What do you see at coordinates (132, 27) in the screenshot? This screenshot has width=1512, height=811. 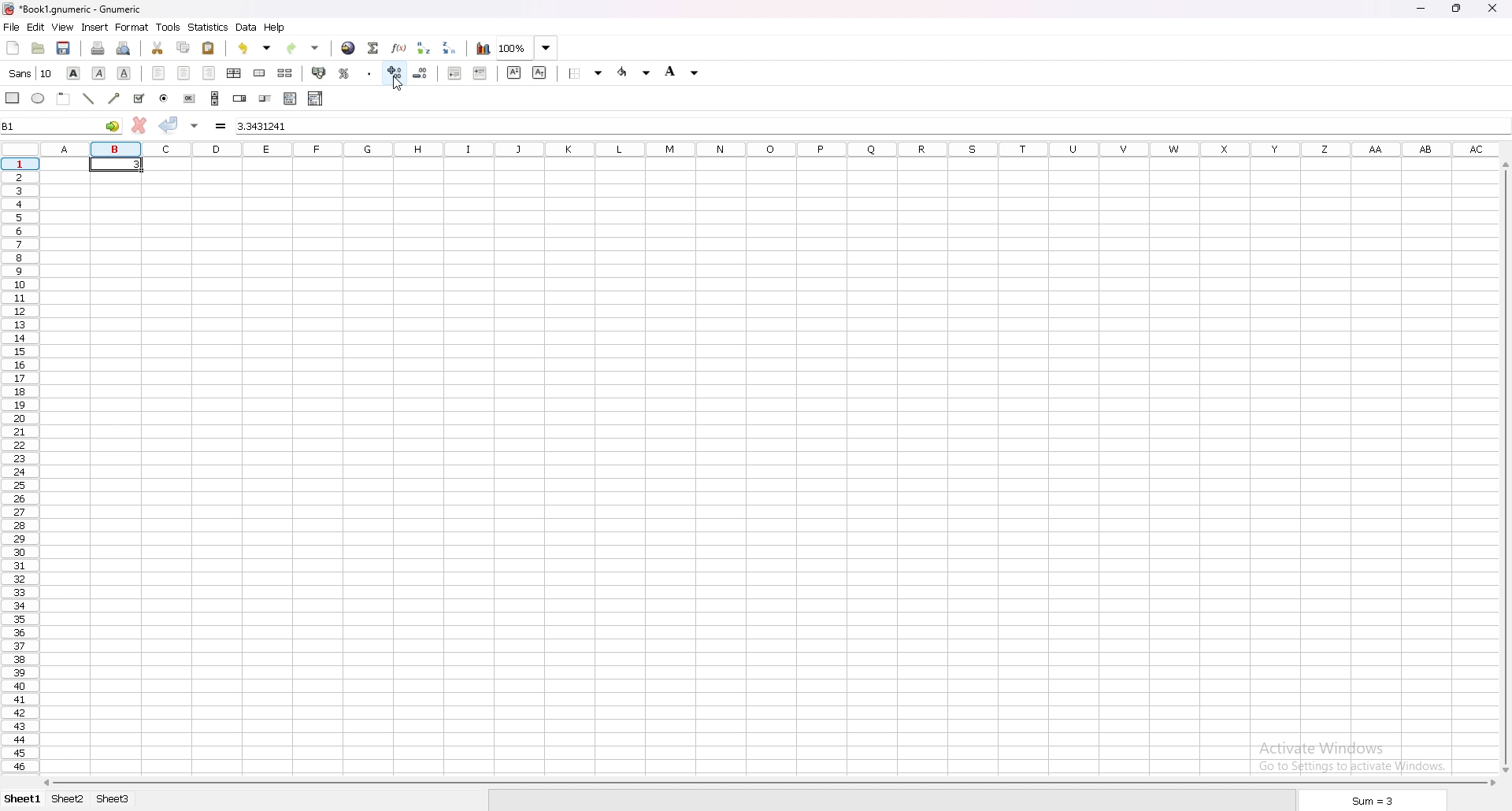 I see `format` at bounding box center [132, 27].